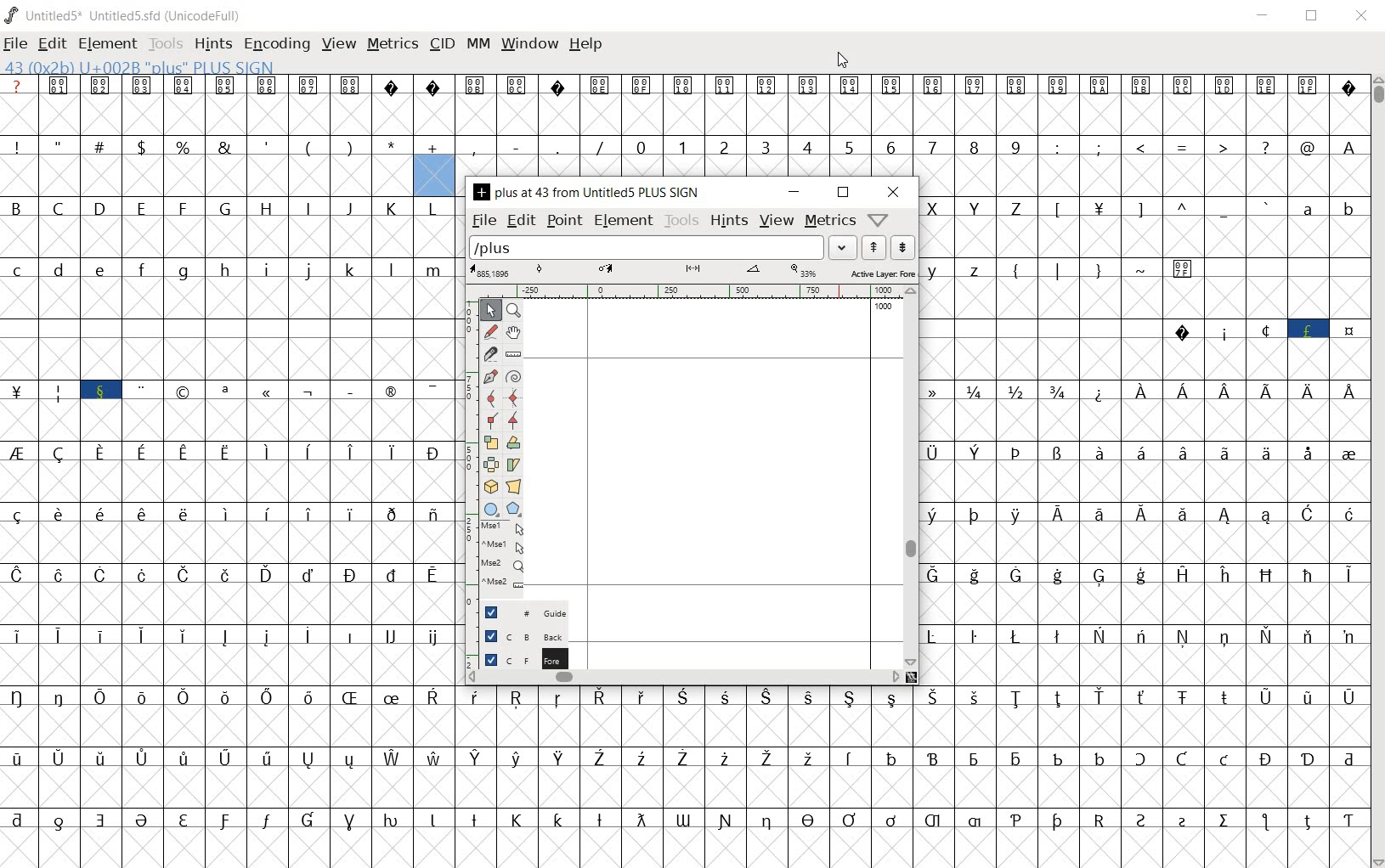  What do you see at coordinates (500, 554) in the screenshot?
I see `mse1 mse1 mse2 mse2` at bounding box center [500, 554].